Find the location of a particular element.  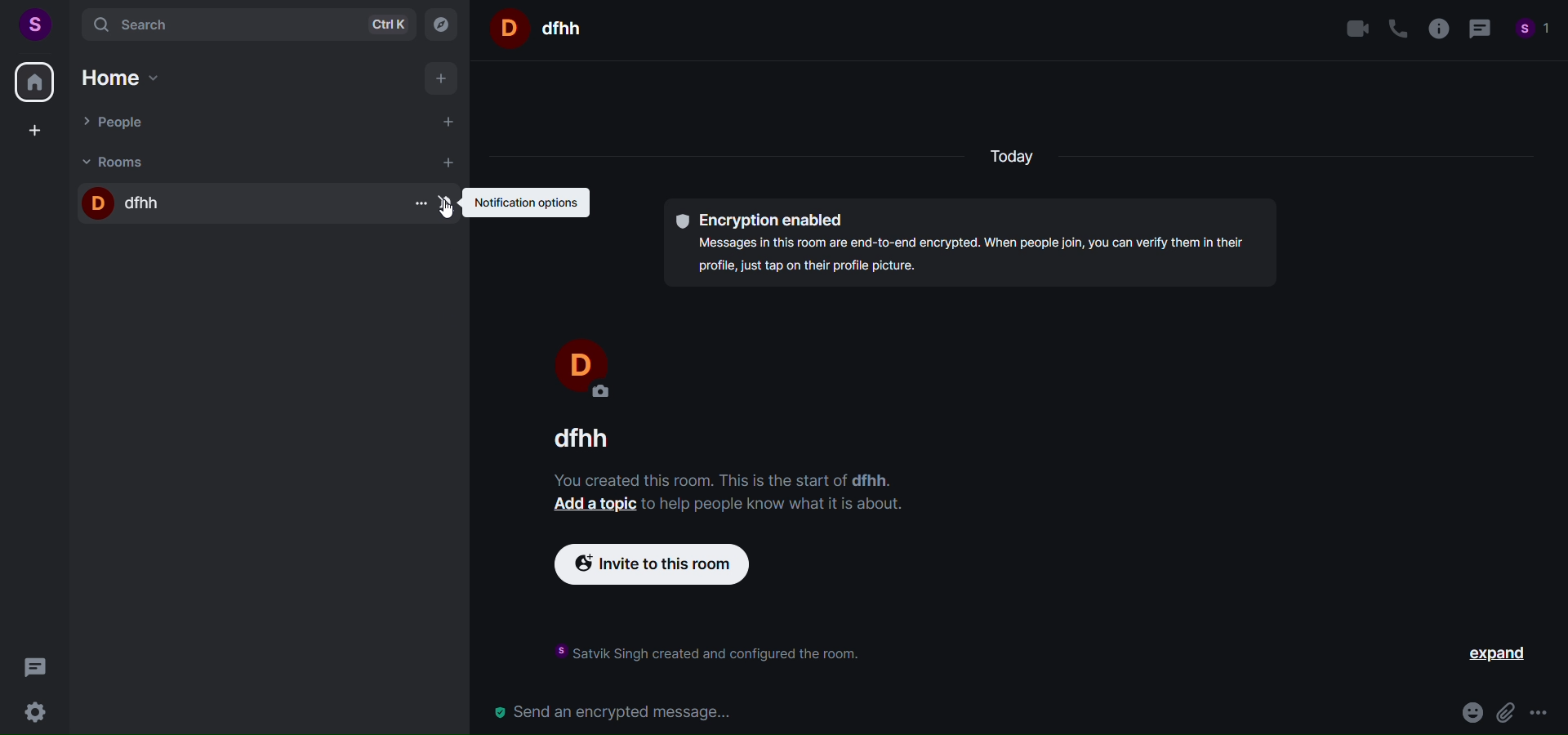

explore room is located at coordinates (442, 24).